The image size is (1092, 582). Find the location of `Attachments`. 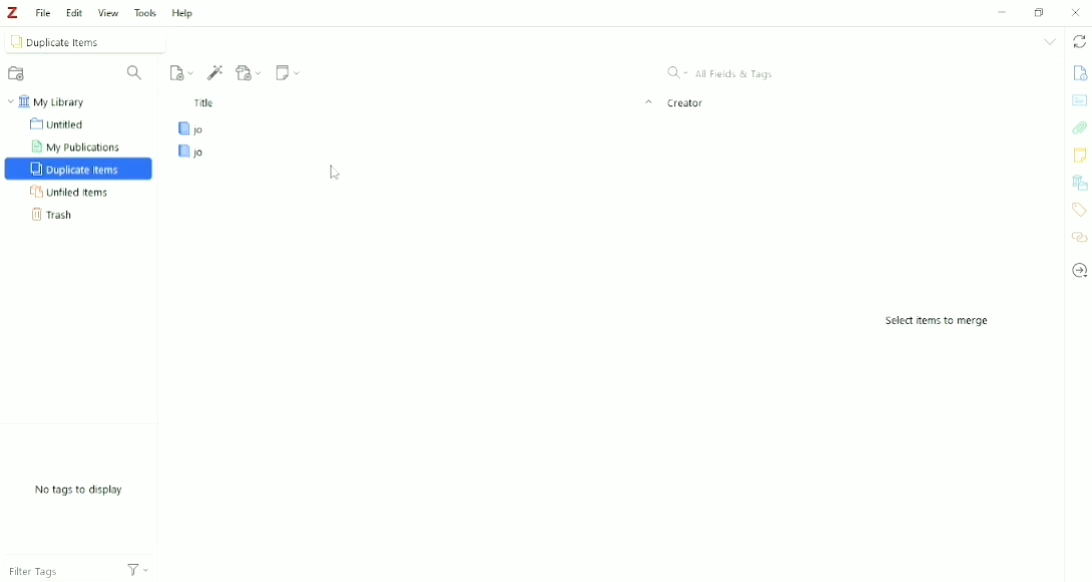

Attachments is located at coordinates (1079, 127).